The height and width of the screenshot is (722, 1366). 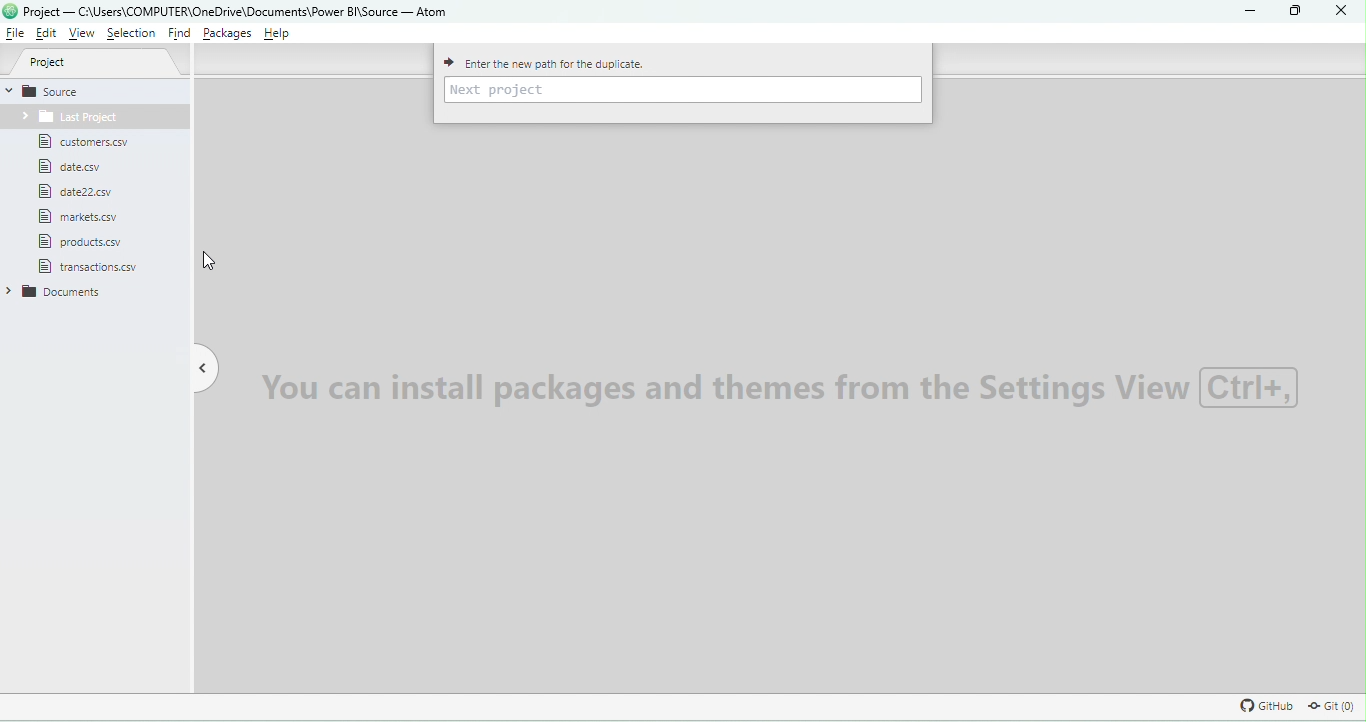 What do you see at coordinates (283, 35) in the screenshot?
I see `Help` at bounding box center [283, 35].